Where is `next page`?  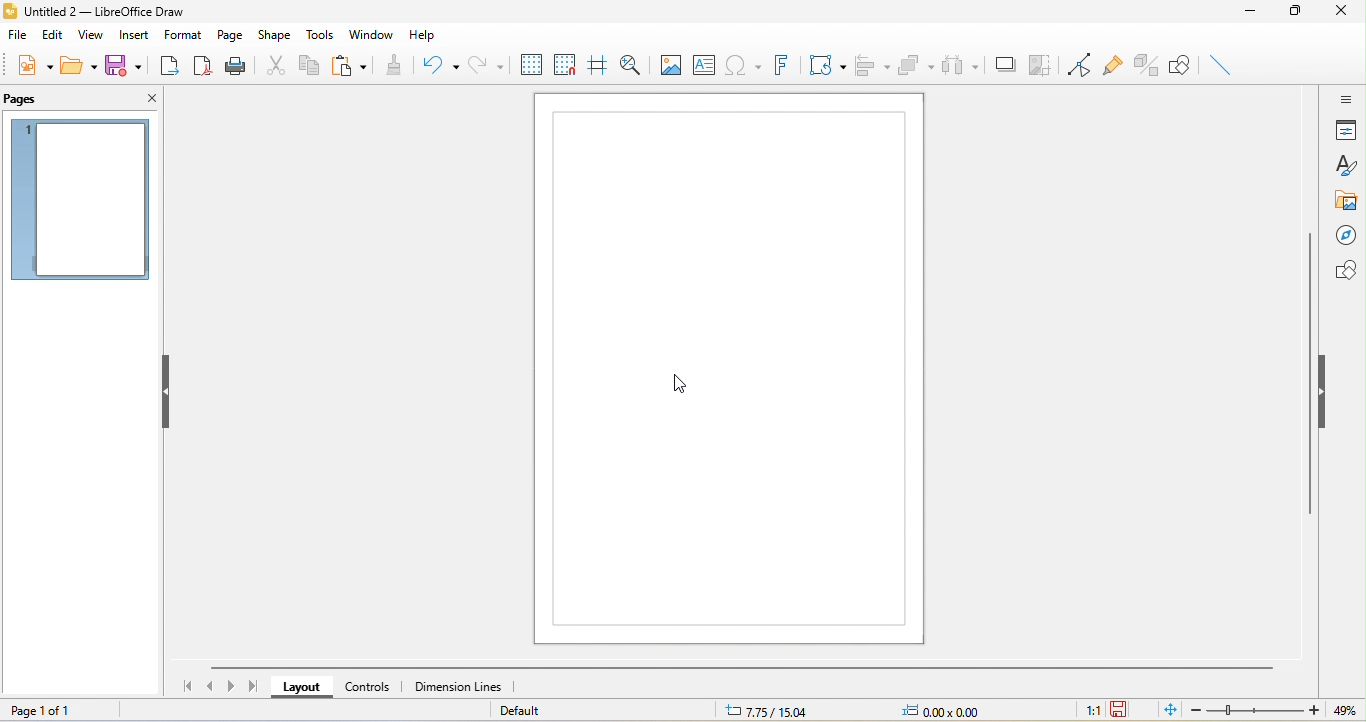 next page is located at coordinates (231, 686).